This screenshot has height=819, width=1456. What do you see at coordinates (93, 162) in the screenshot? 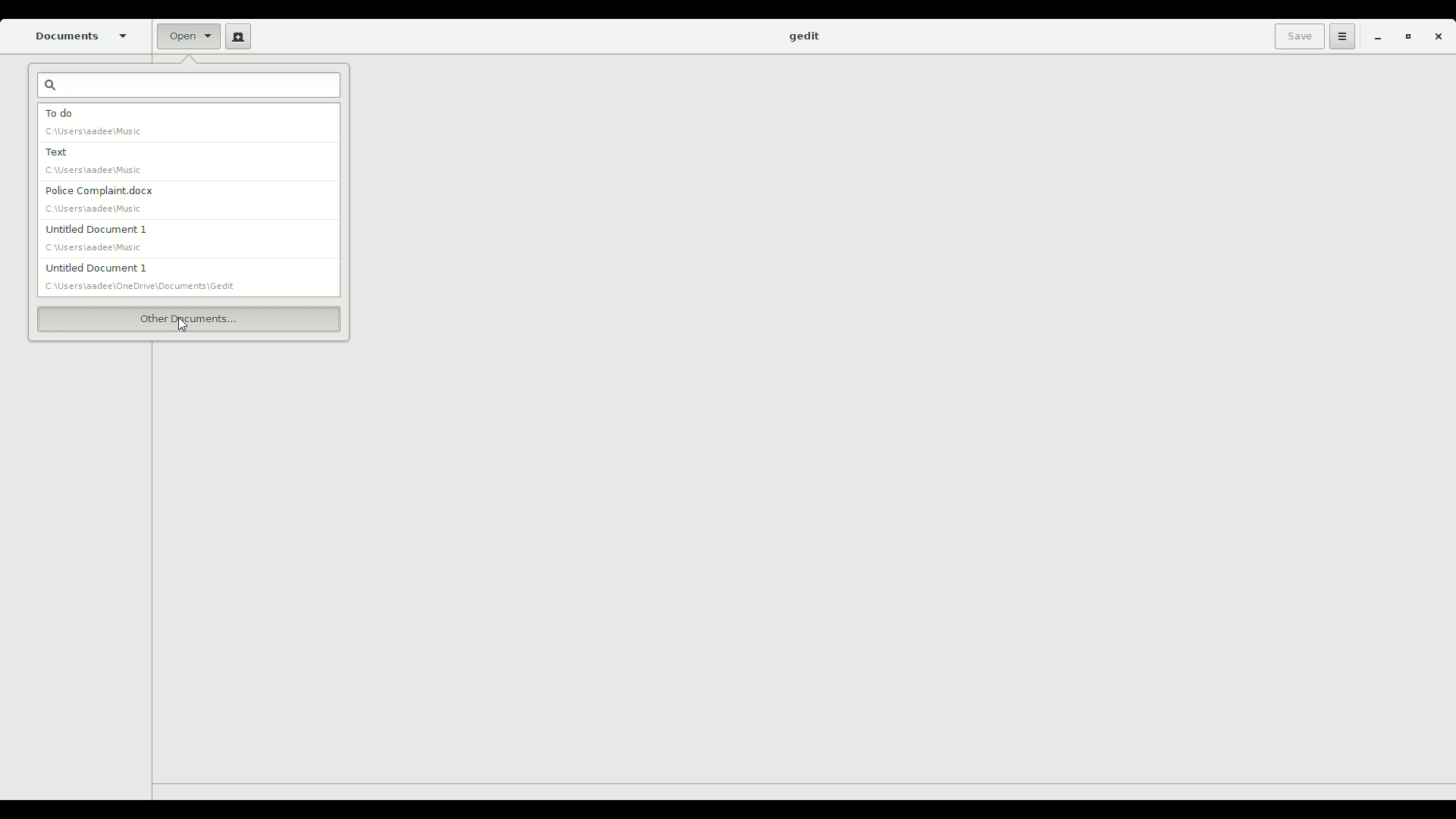
I see `Text` at bounding box center [93, 162].